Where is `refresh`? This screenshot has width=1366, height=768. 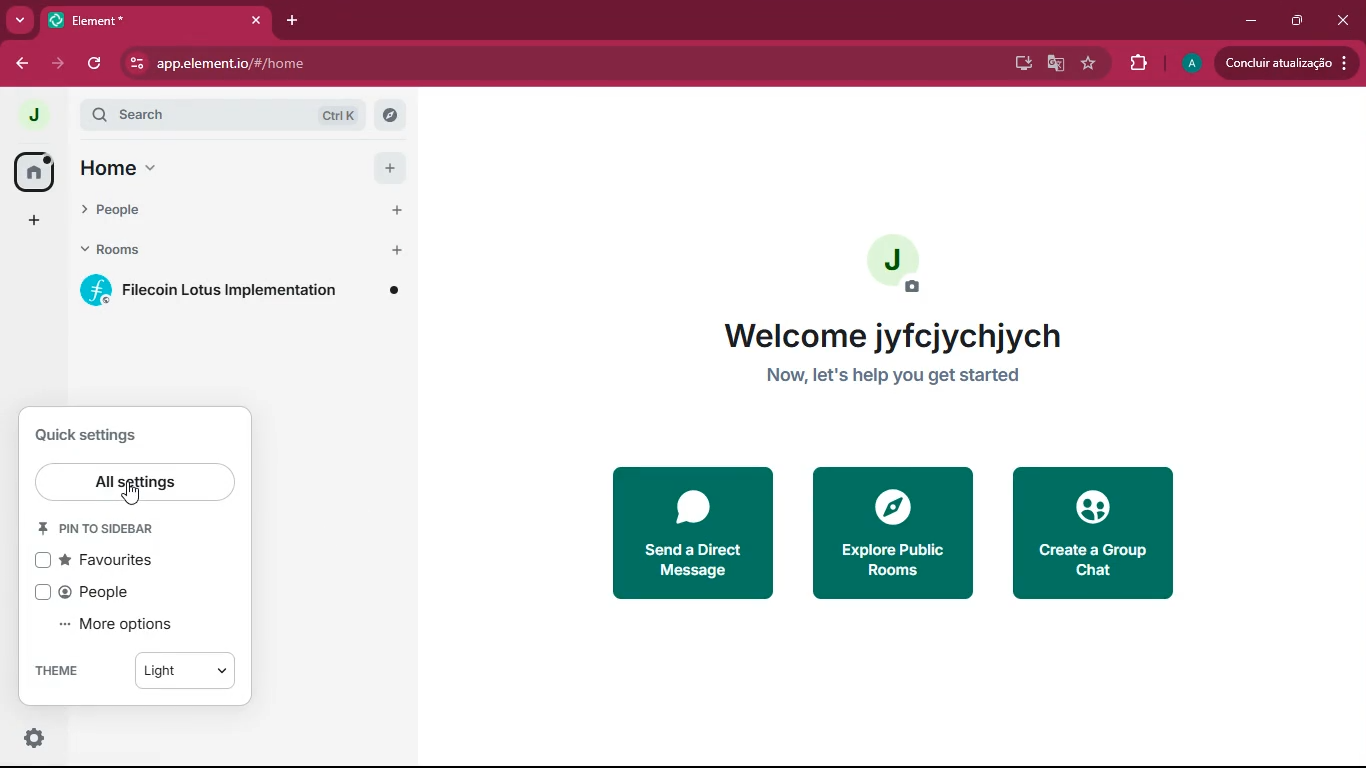
refresh is located at coordinates (102, 63).